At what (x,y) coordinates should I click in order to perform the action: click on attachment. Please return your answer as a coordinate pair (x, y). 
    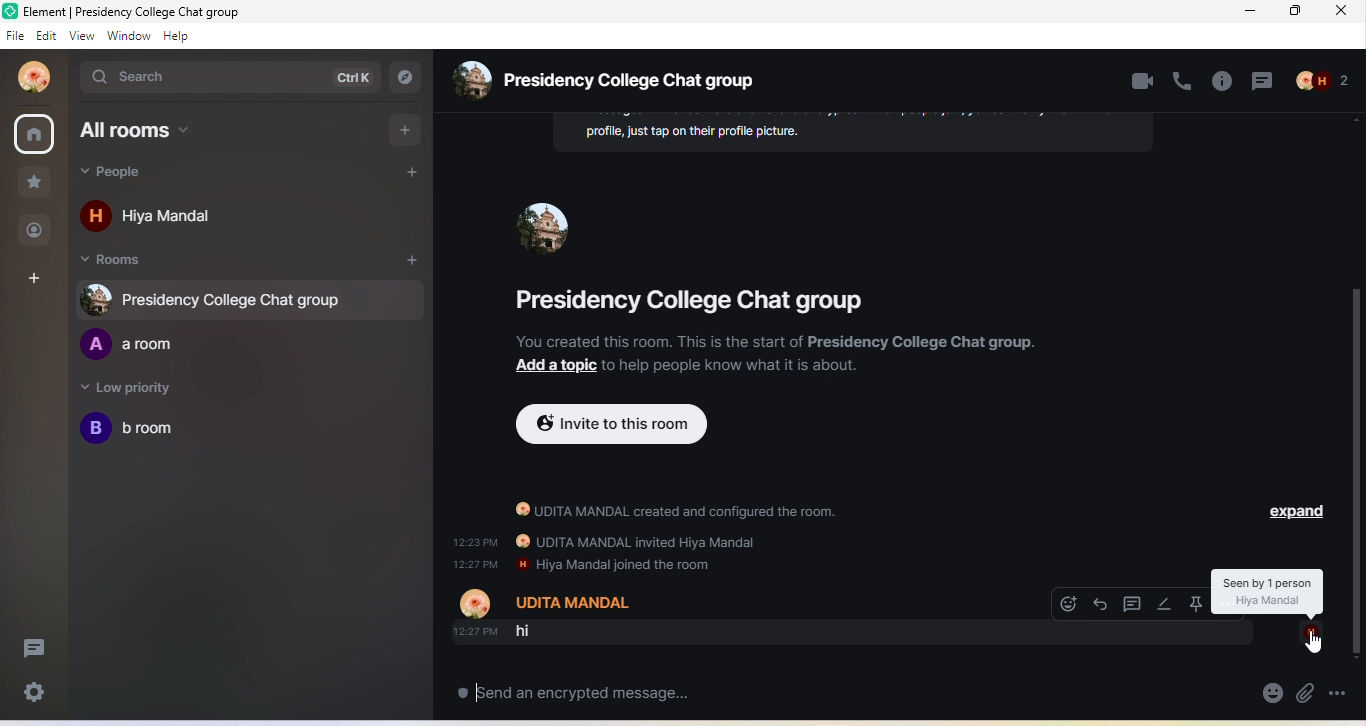
    Looking at the image, I should click on (1306, 696).